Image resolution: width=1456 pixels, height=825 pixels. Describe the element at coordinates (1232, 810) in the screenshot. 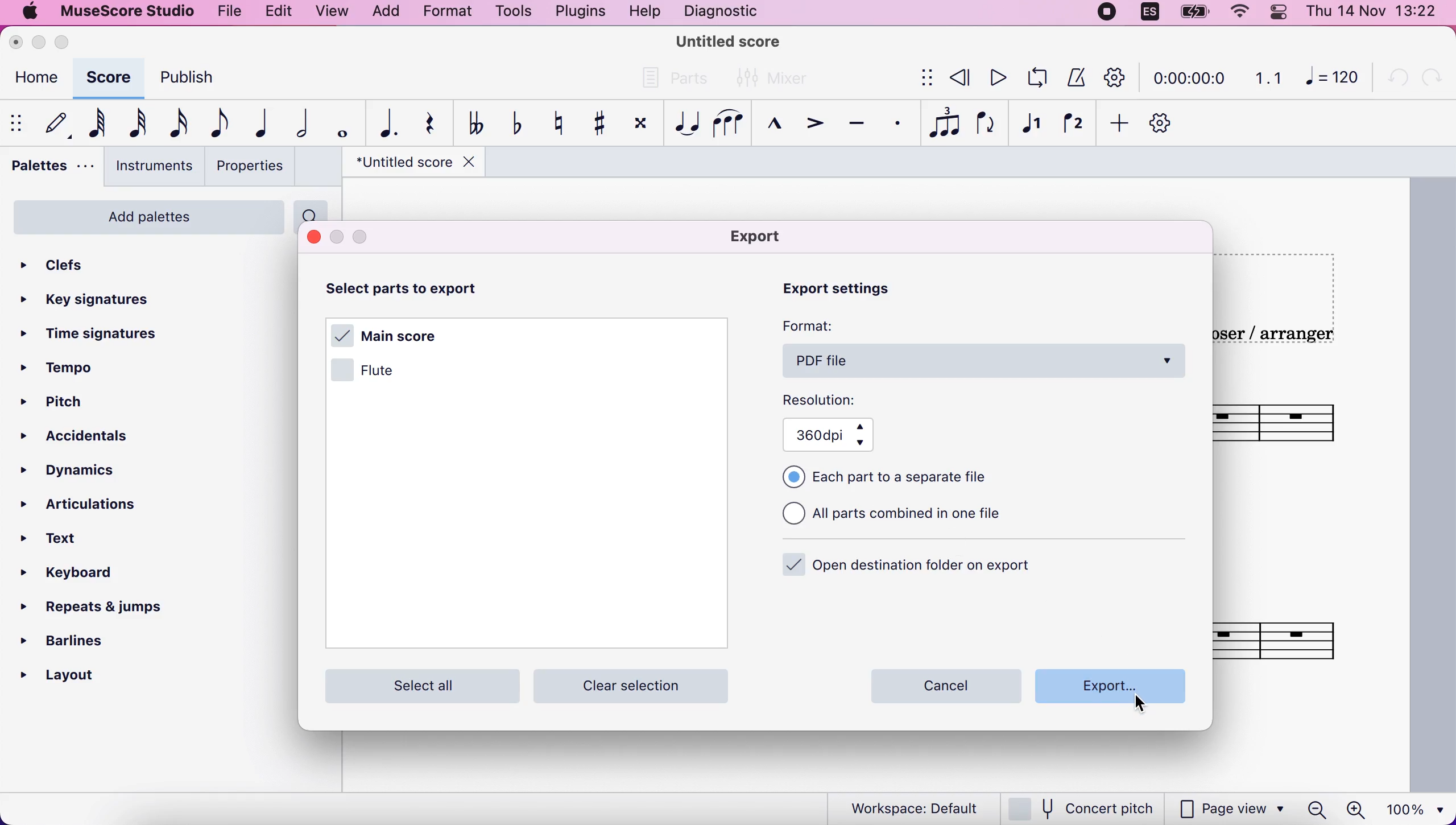

I see `page view` at that location.